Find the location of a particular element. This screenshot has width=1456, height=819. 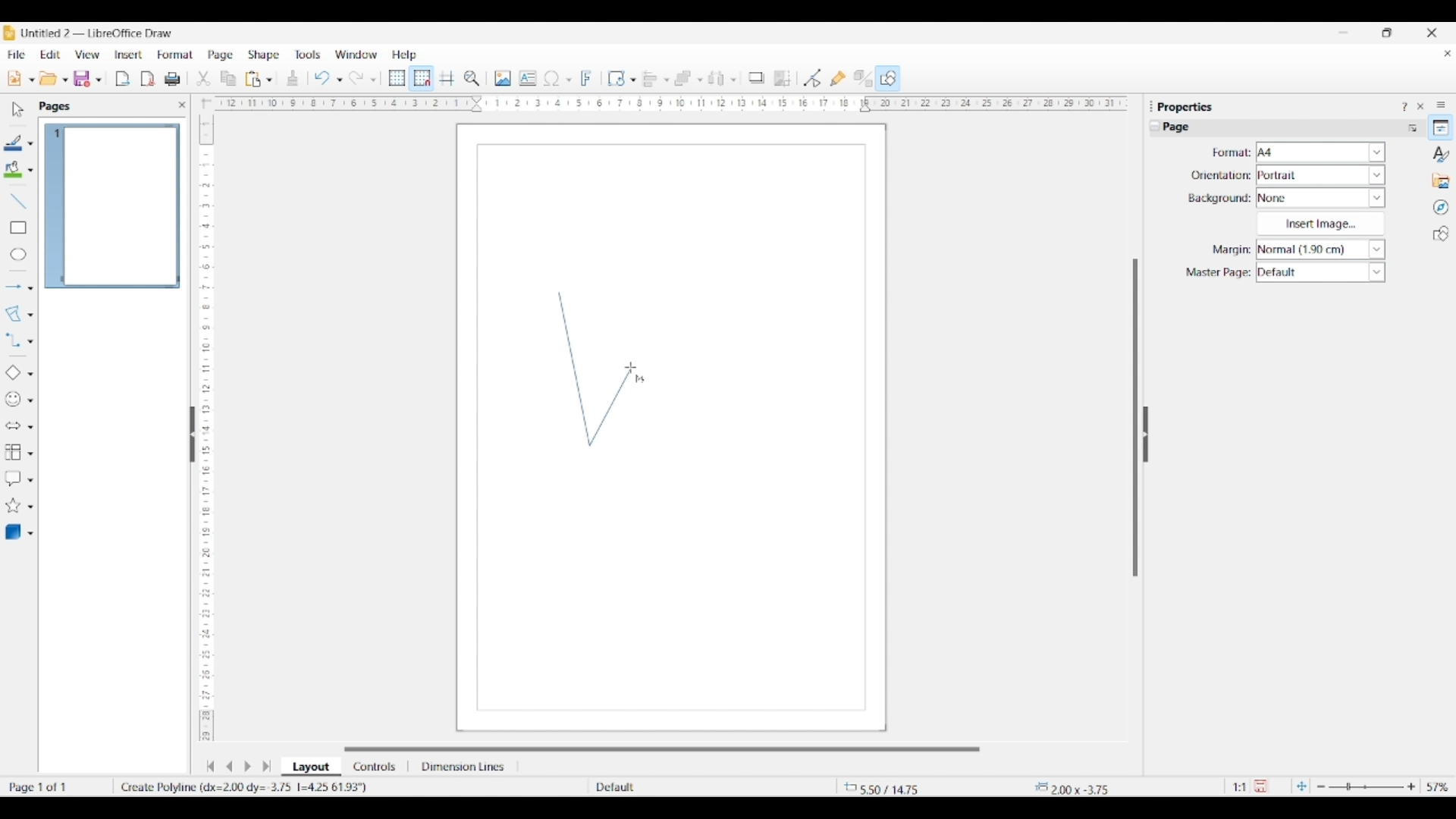

Float properties panel is located at coordinates (1151, 106).